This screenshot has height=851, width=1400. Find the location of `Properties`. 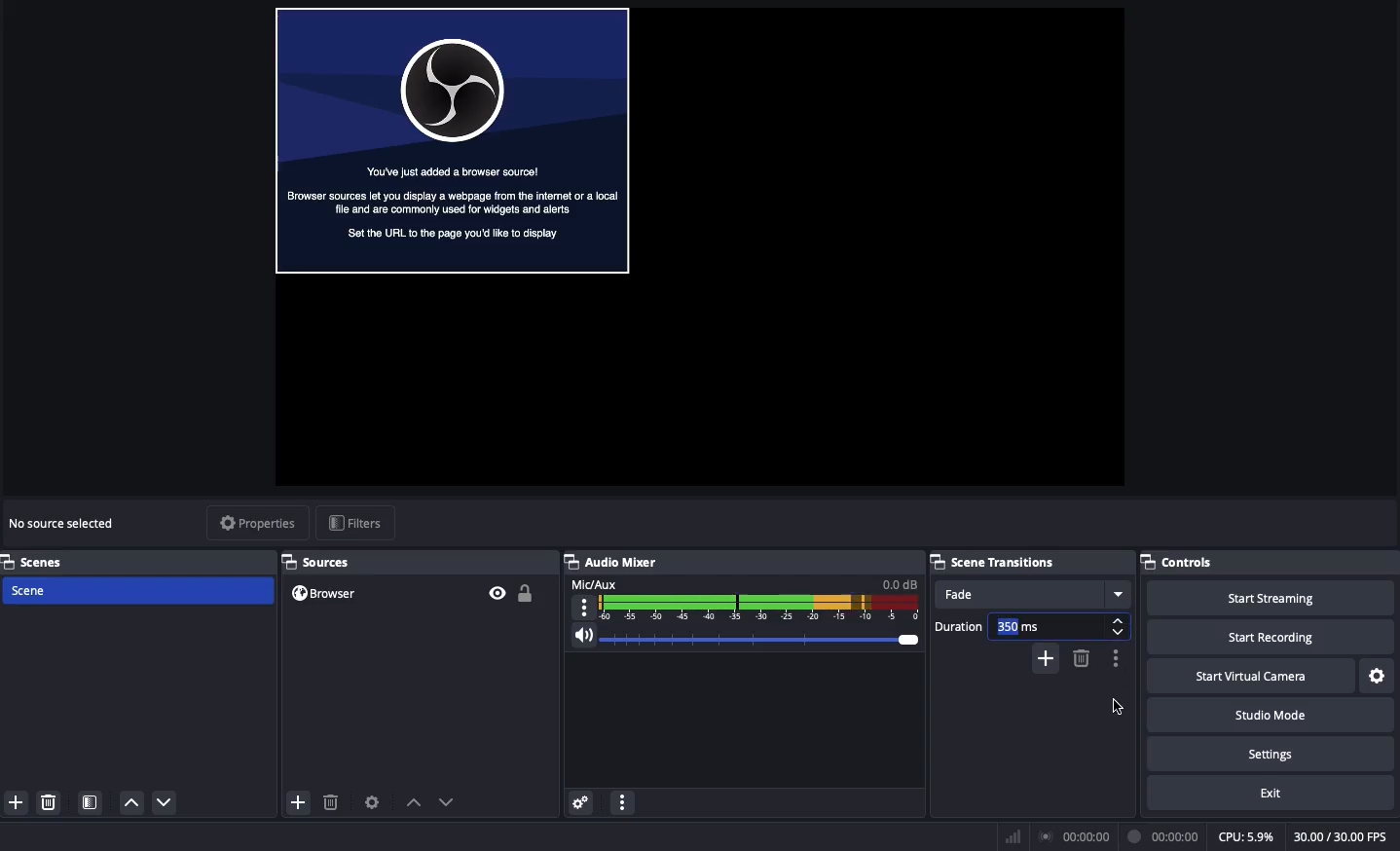

Properties is located at coordinates (255, 523).